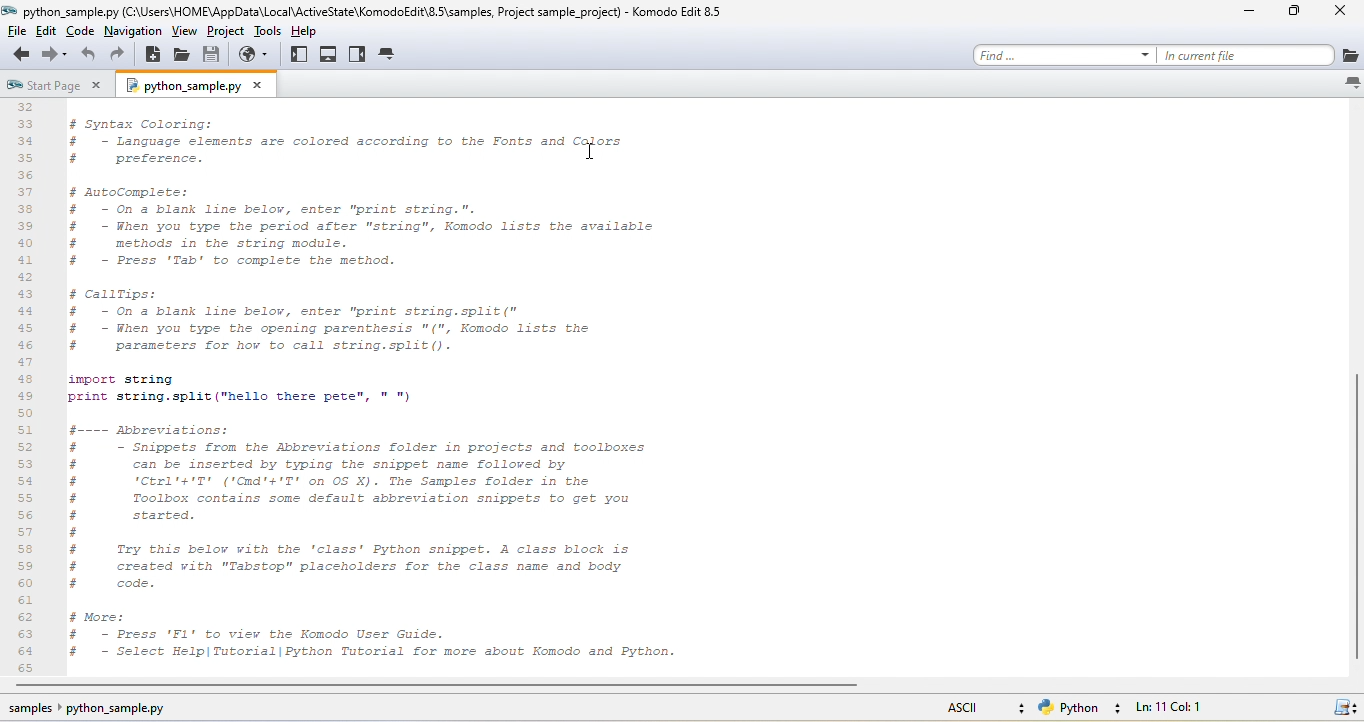 The image size is (1364, 722). Describe the element at coordinates (1202, 709) in the screenshot. I see `lnc11, col 1` at that location.